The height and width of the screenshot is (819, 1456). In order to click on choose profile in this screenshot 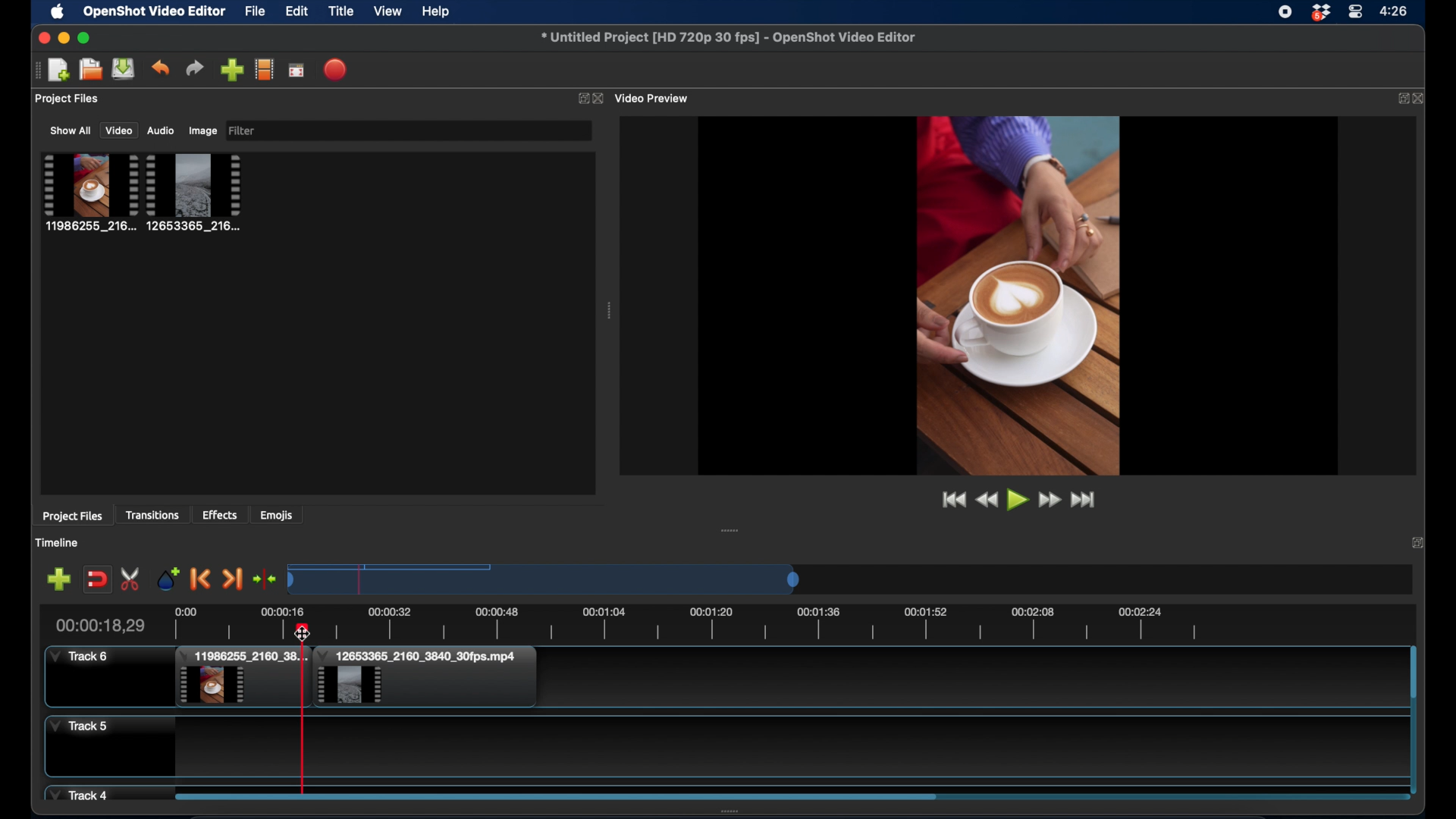, I will do `click(264, 69)`.